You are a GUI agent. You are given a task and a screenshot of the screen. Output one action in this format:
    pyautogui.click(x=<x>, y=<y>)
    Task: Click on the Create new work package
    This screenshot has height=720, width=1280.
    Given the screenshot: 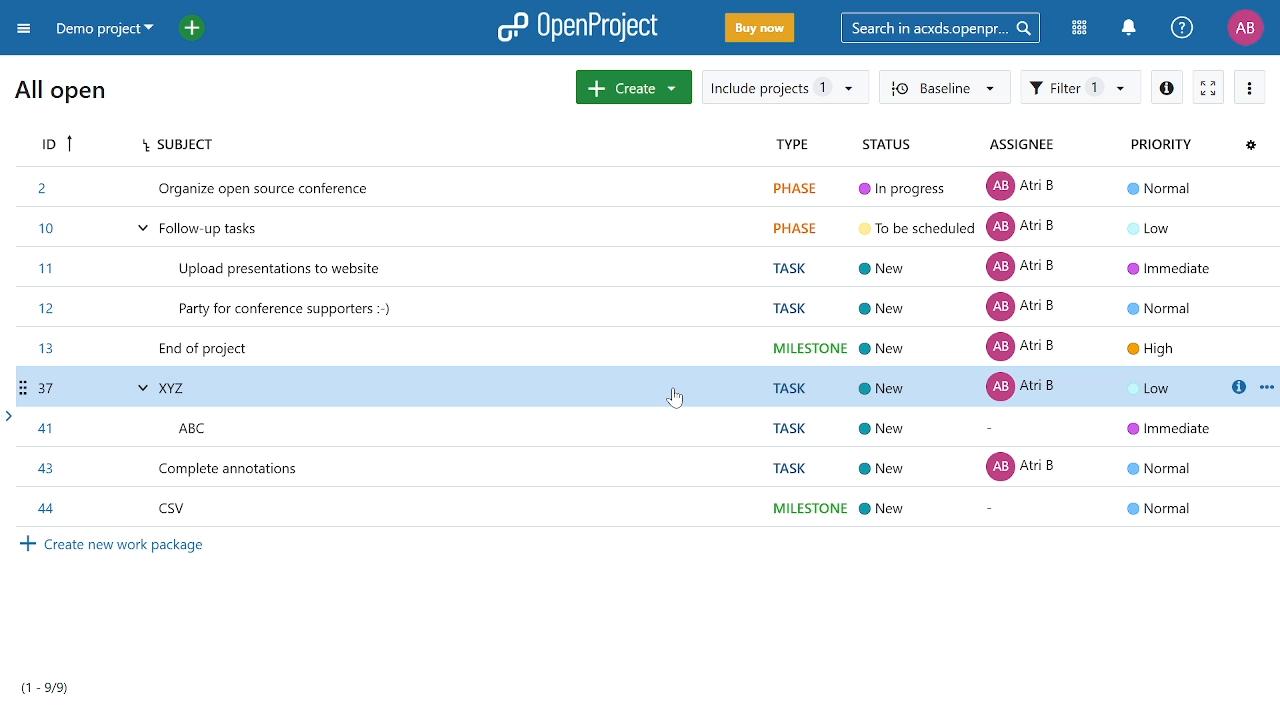 What is the action you would take?
    pyautogui.click(x=110, y=548)
    